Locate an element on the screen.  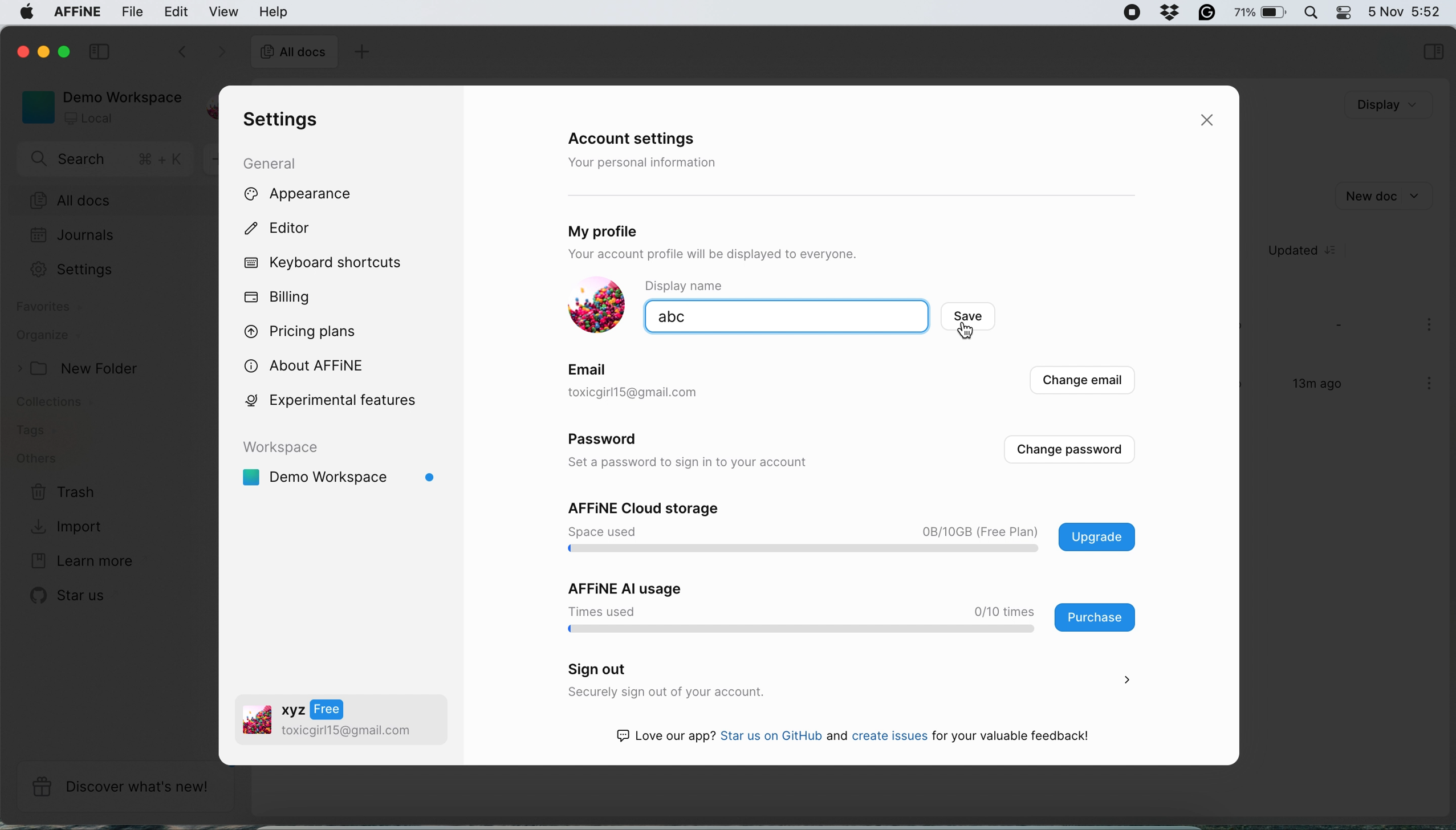
collections is located at coordinates (64, 404).